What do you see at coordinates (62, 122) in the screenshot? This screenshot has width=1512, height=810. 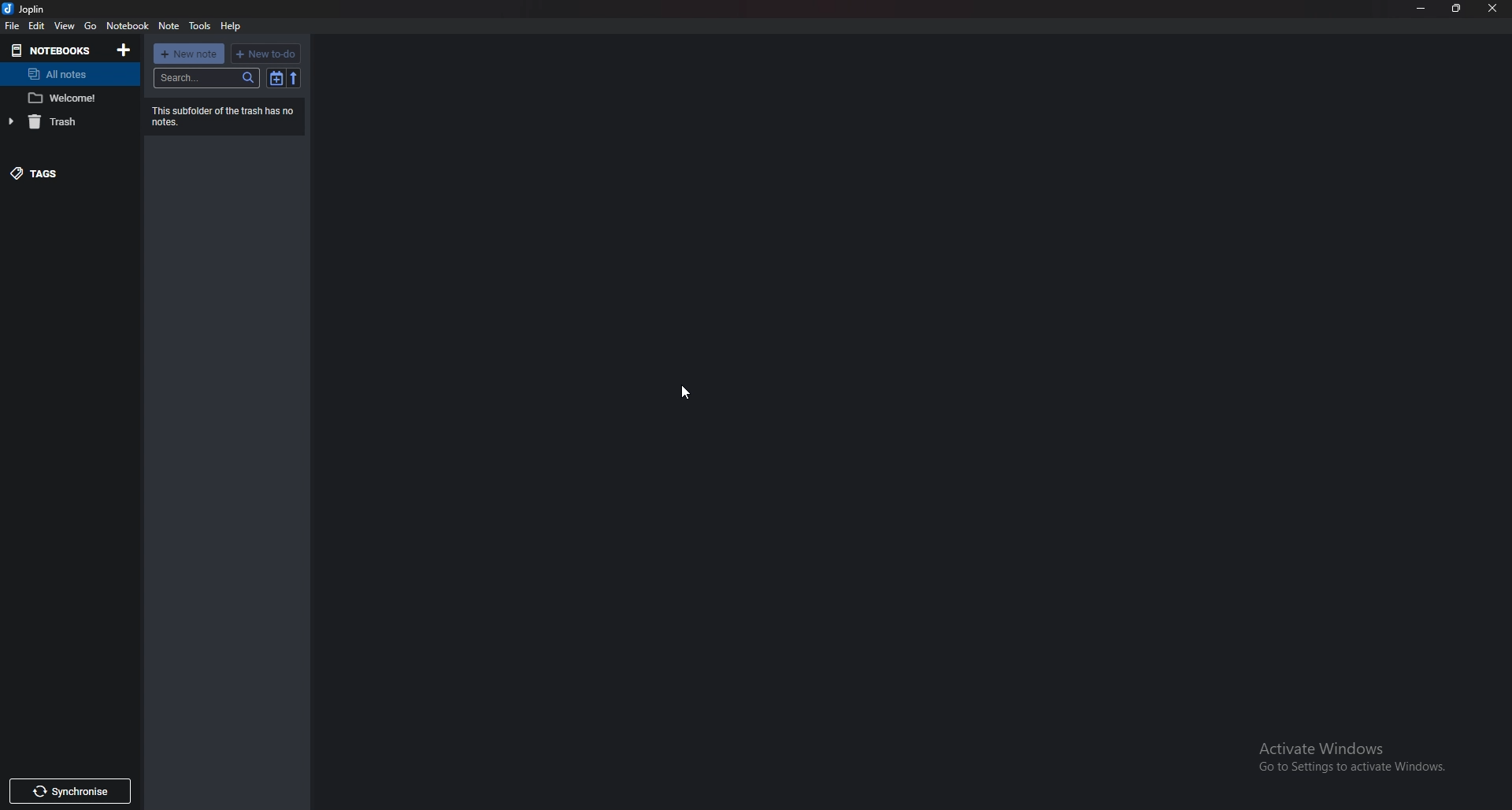 I see `Trash` at bounding box center [62, 122].